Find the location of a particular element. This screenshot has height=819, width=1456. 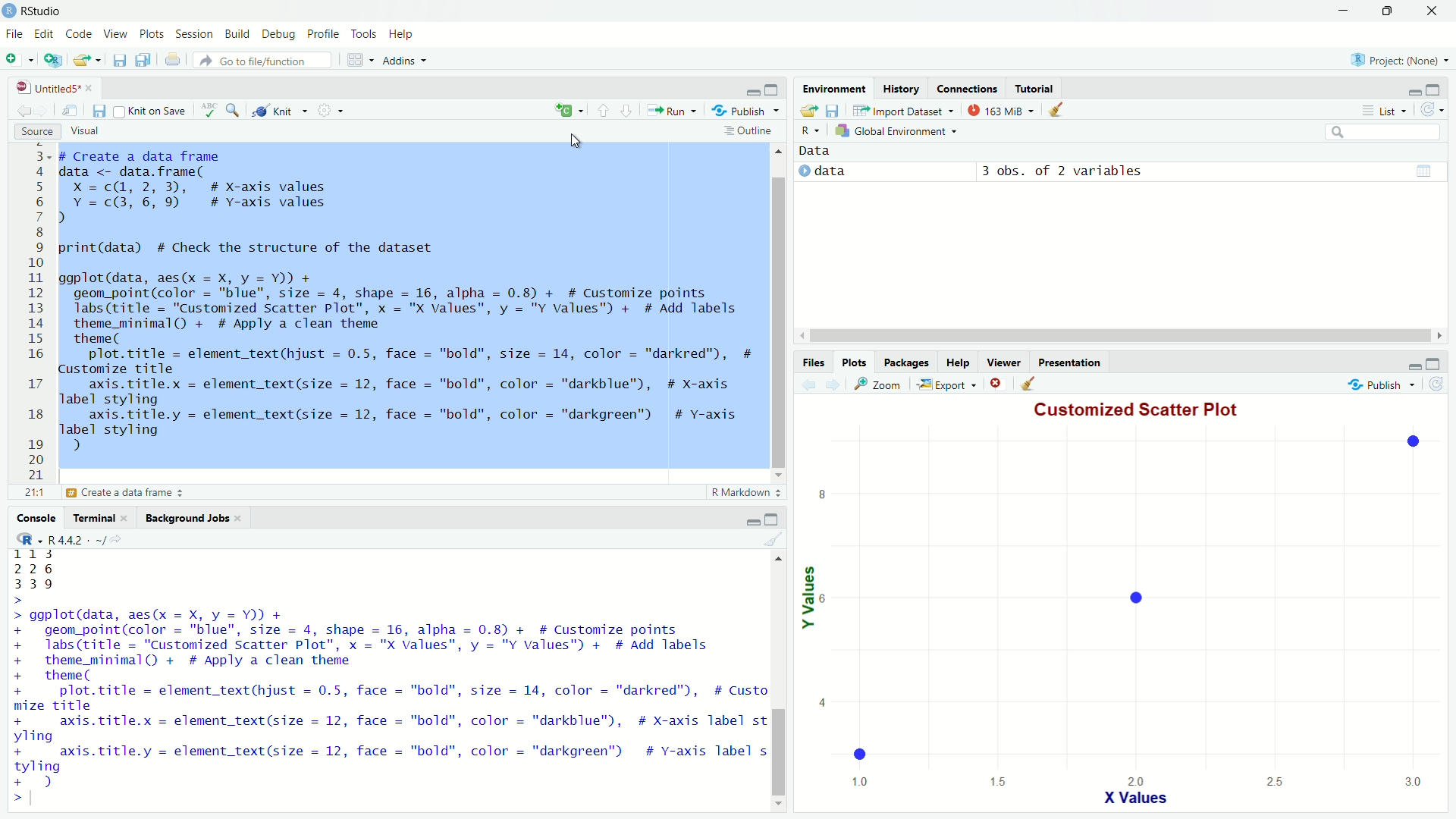

minimize is located at coordinates (1345, 11).